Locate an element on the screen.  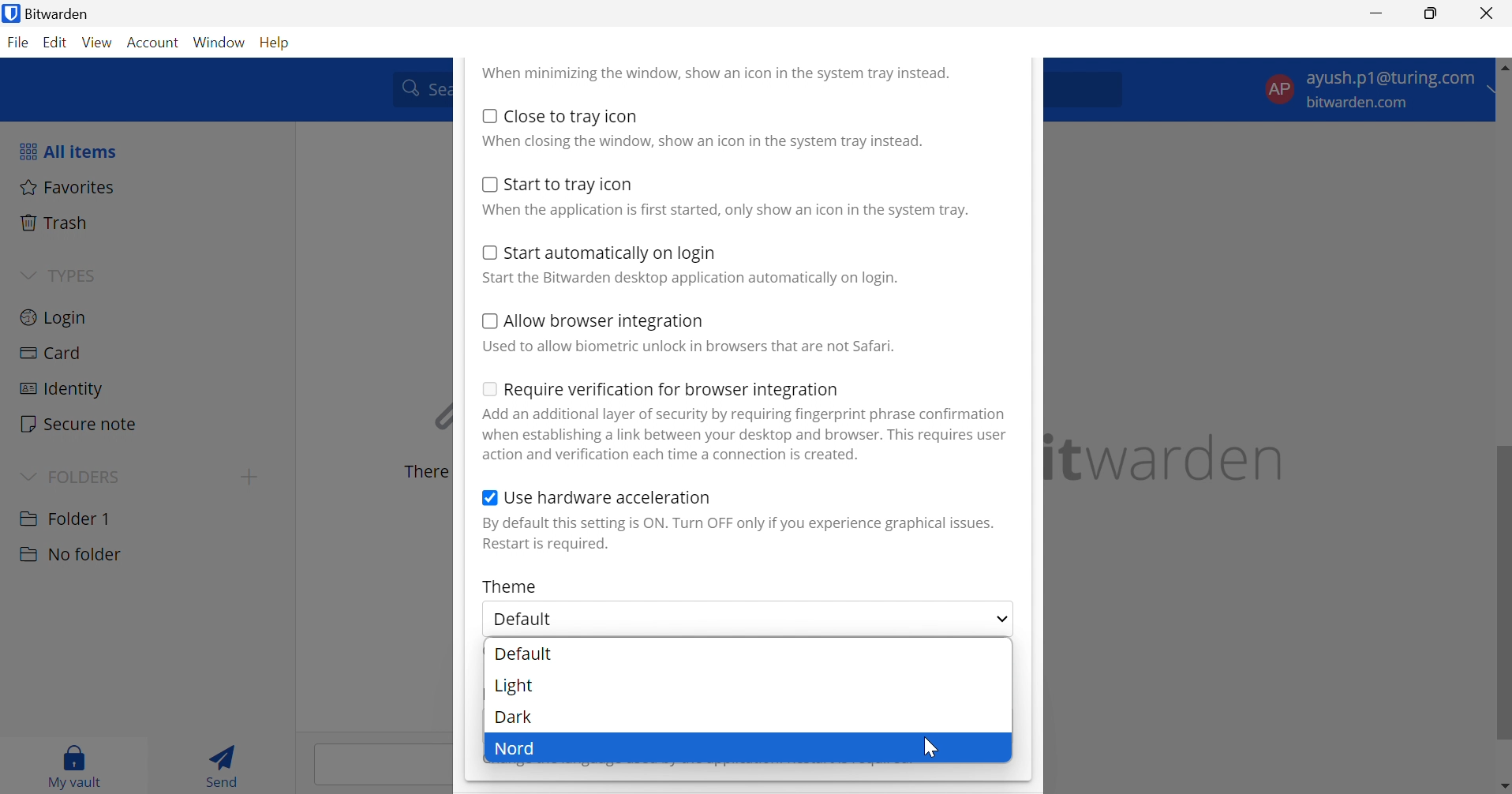
Bitwarden is located at coordinates (63, 13).